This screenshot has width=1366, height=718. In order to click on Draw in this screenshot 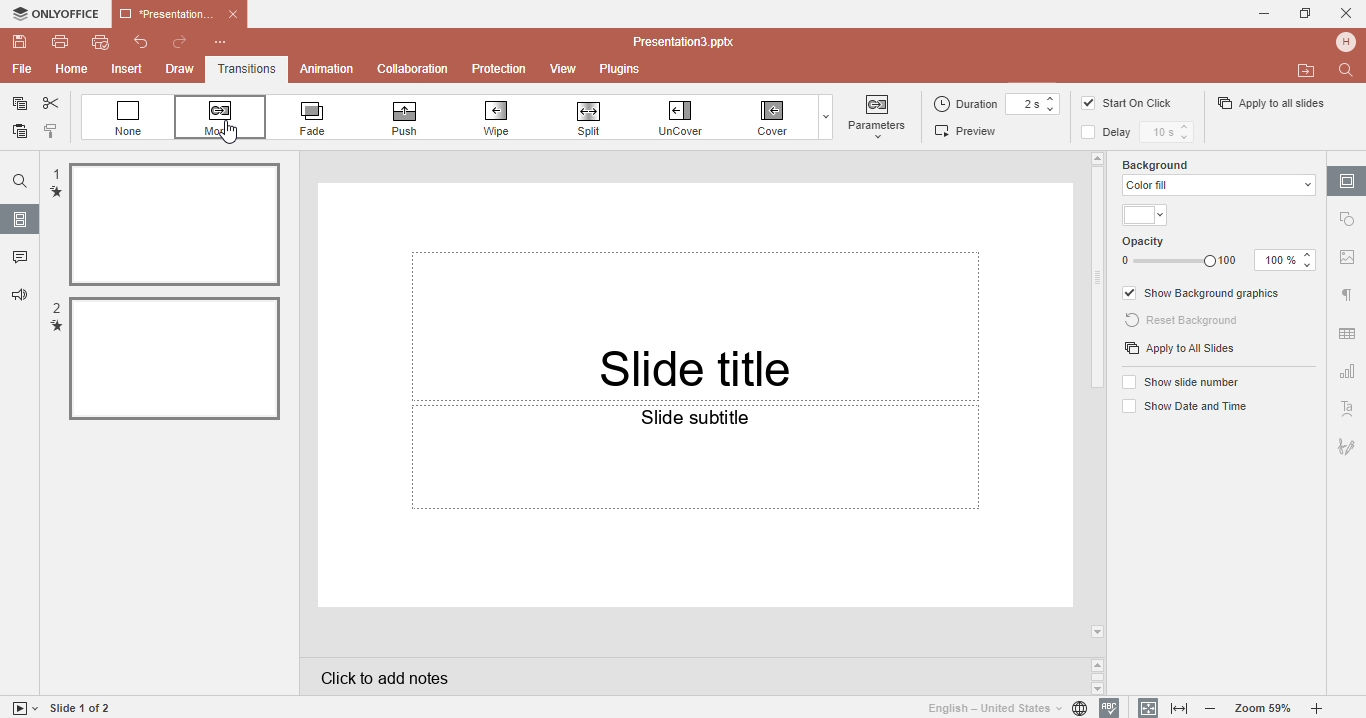, I will do `click(178, 70)`.